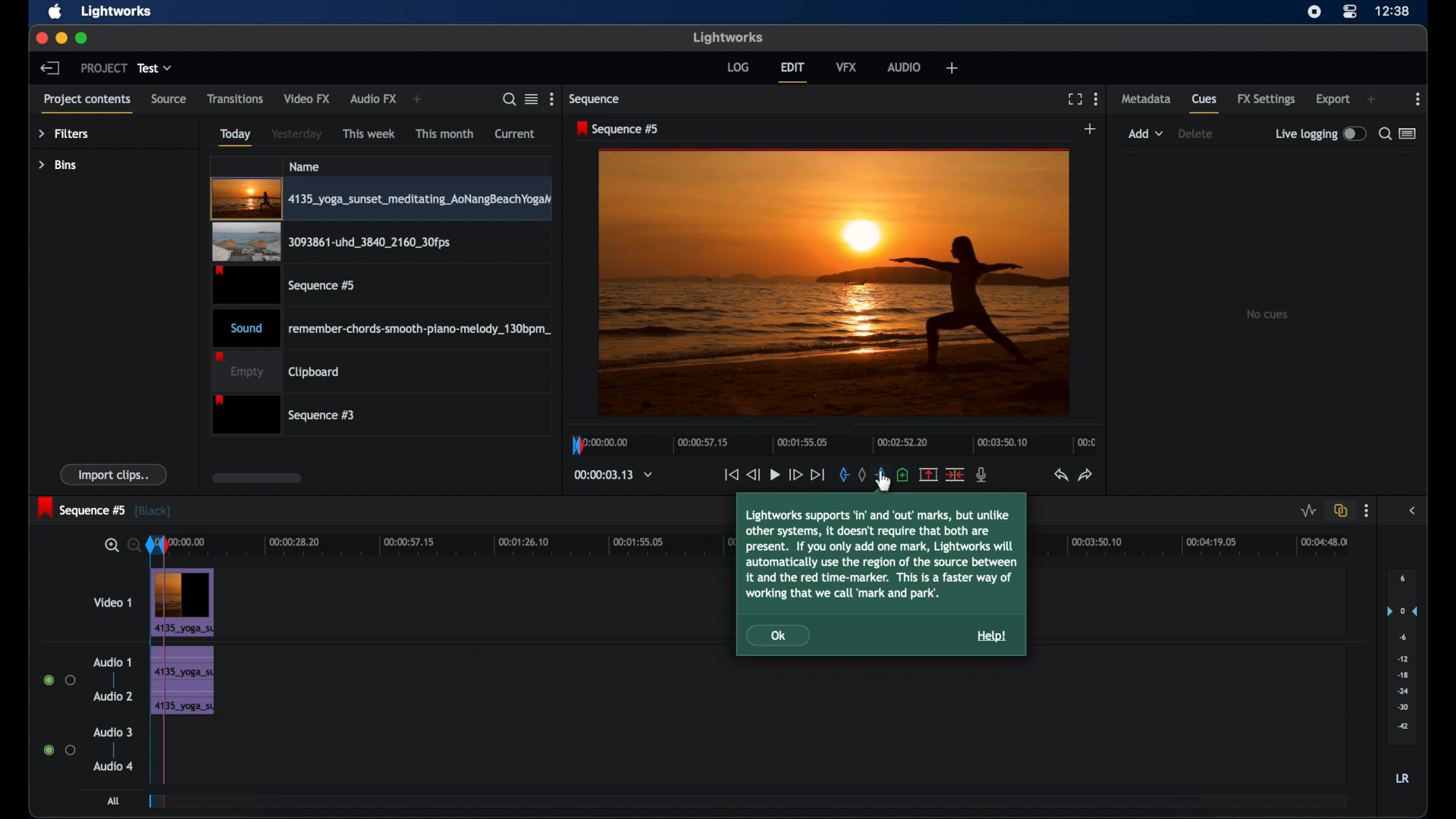  Describe the element at coordinates (184, 702) in the screenshot. I see `audio clip` at that location.